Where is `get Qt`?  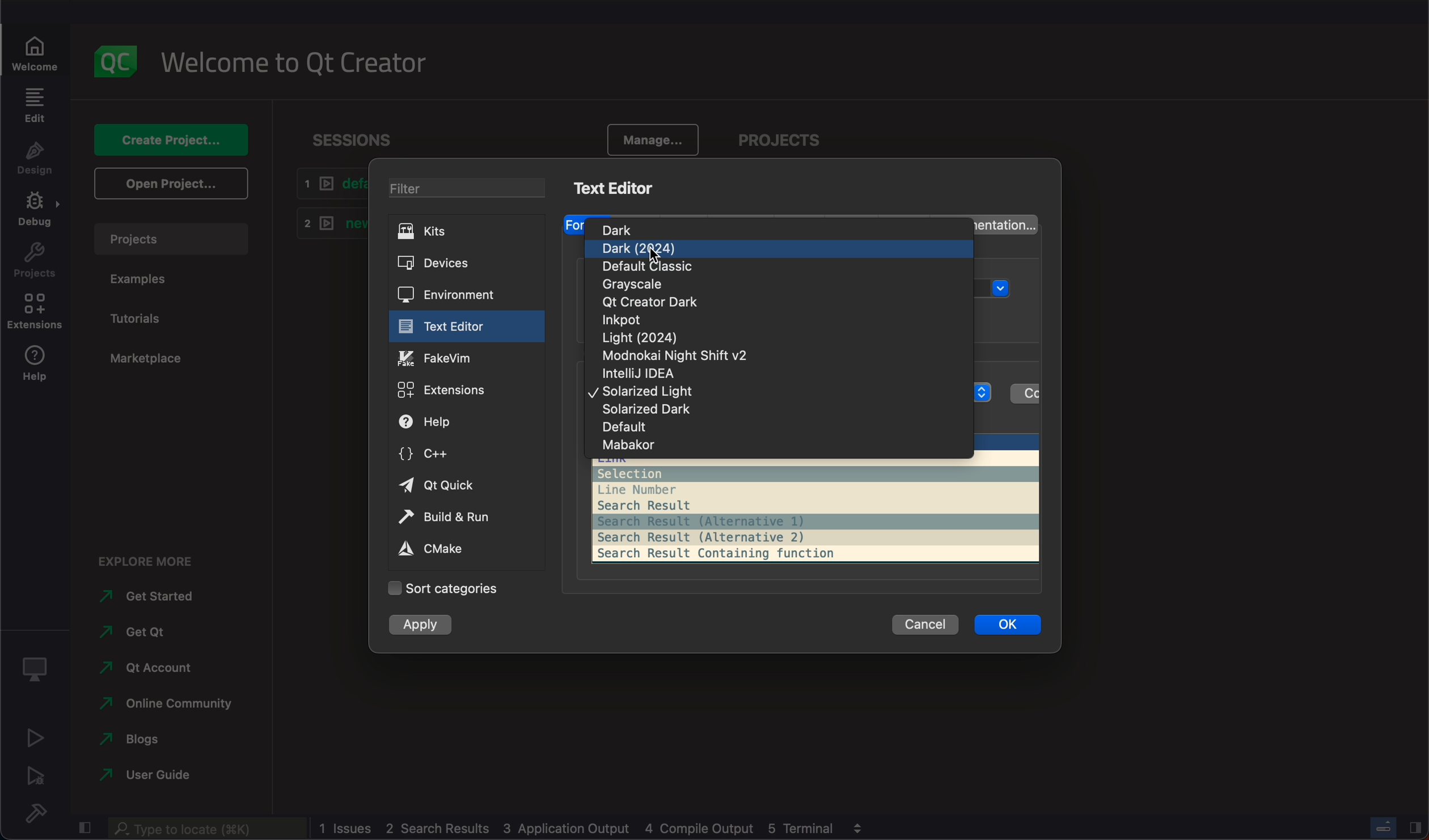 get Qt is located at coordinates (139, 634).